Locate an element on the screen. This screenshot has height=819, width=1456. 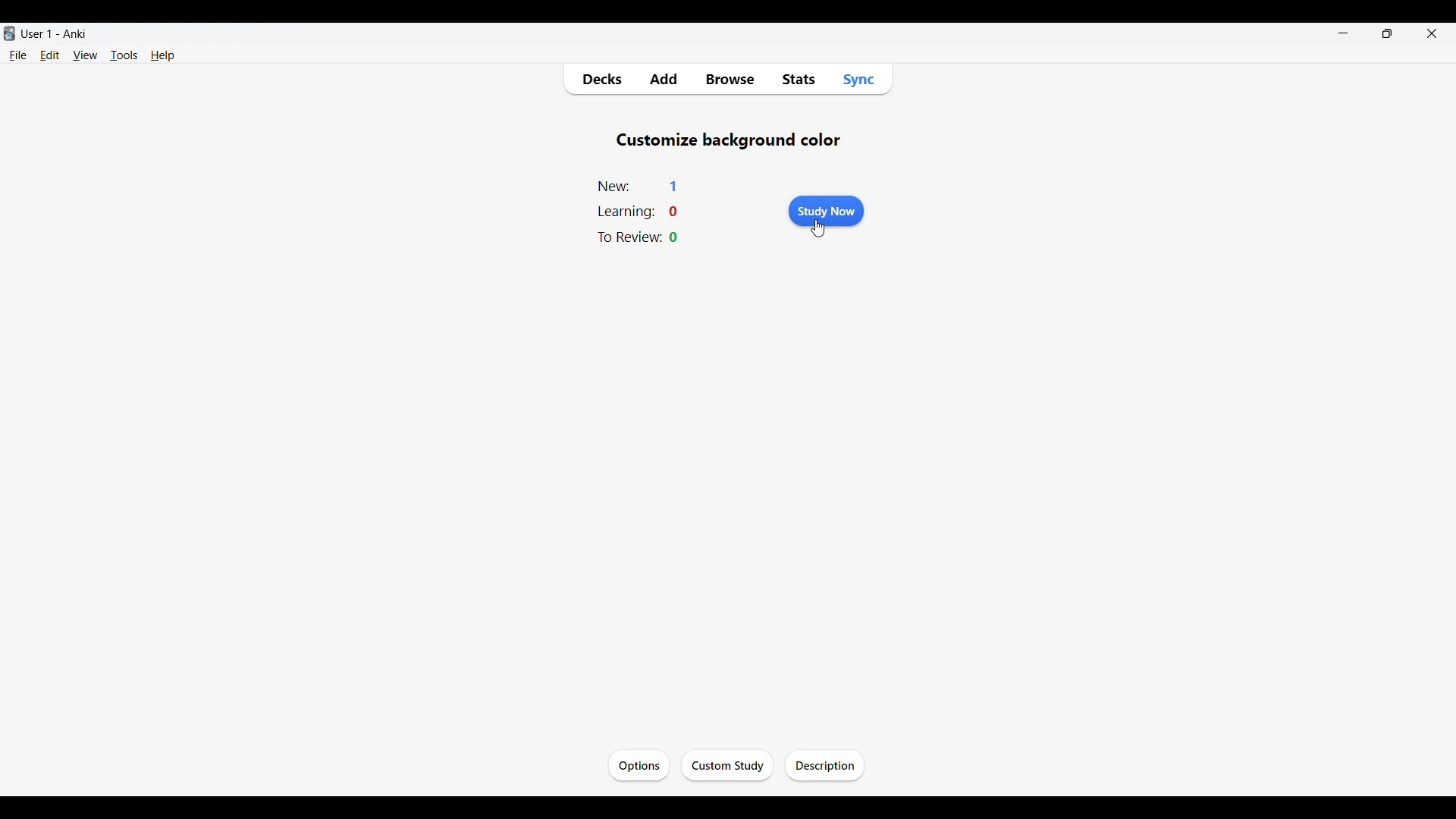
Decks is located at coordinates (601, 80).